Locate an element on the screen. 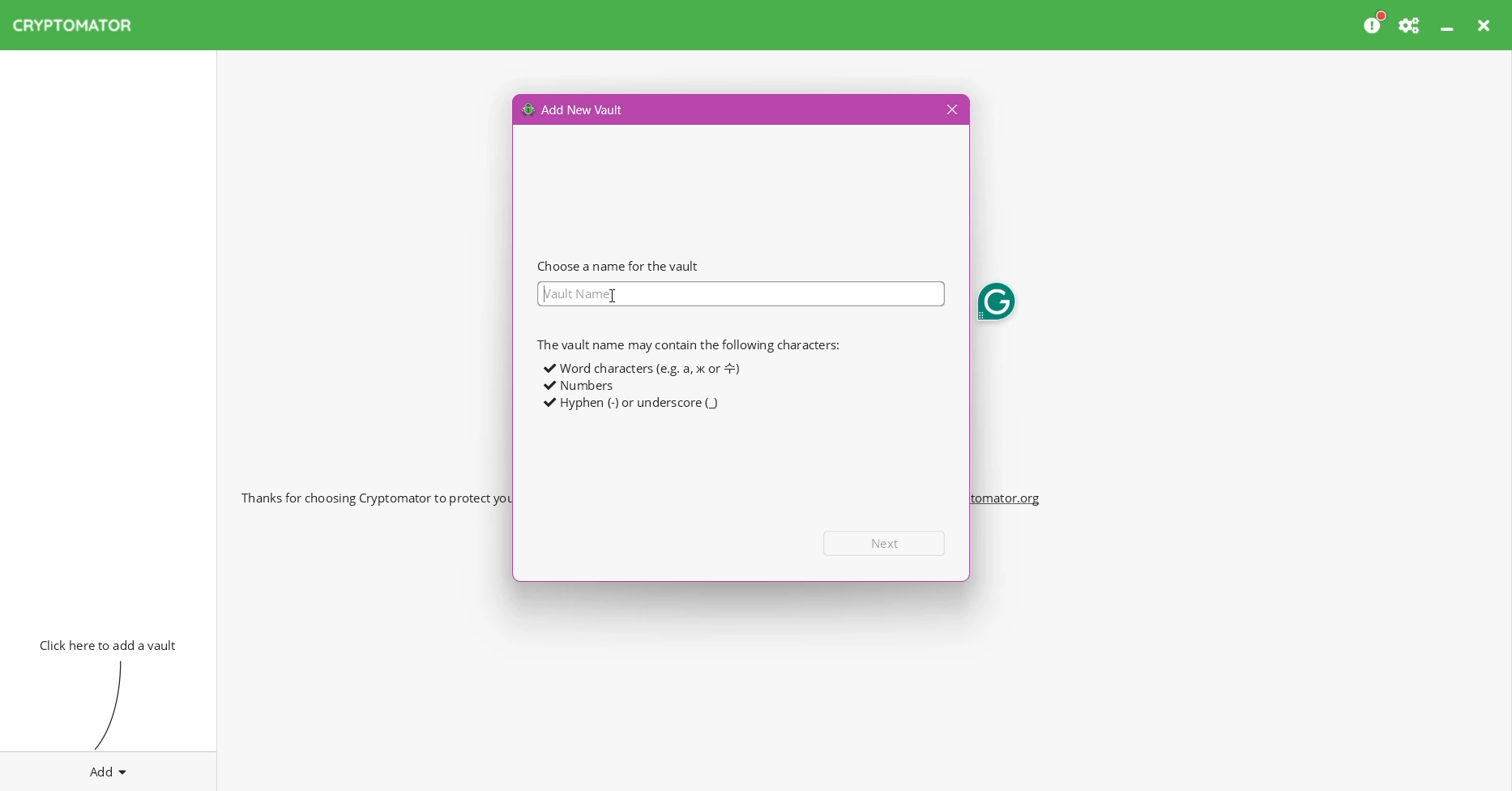 The height and width of the screenshot is (791, 1512). Numbers is located at coordinates (579, 386).